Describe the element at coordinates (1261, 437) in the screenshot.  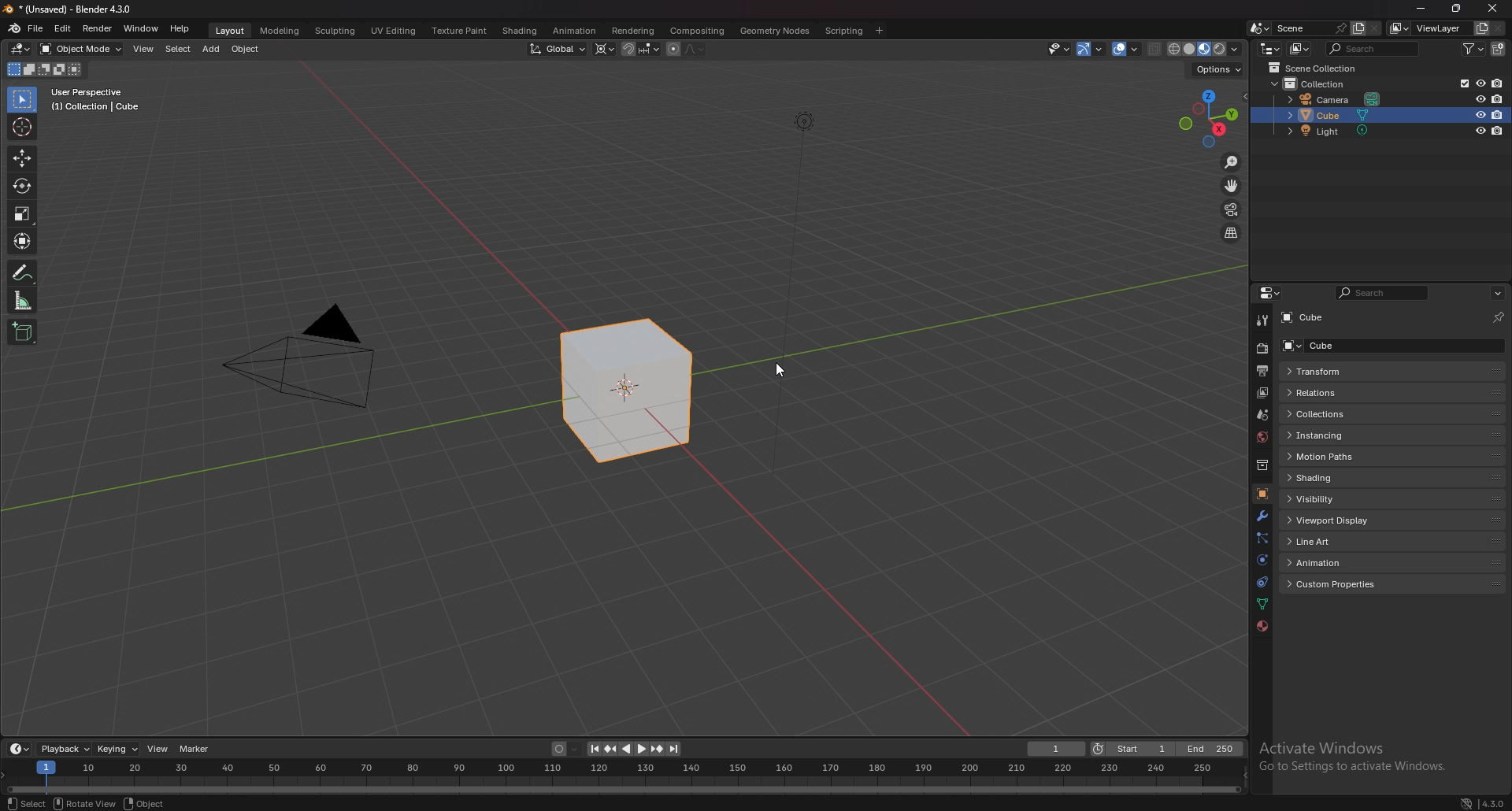
I see `world` at that location.